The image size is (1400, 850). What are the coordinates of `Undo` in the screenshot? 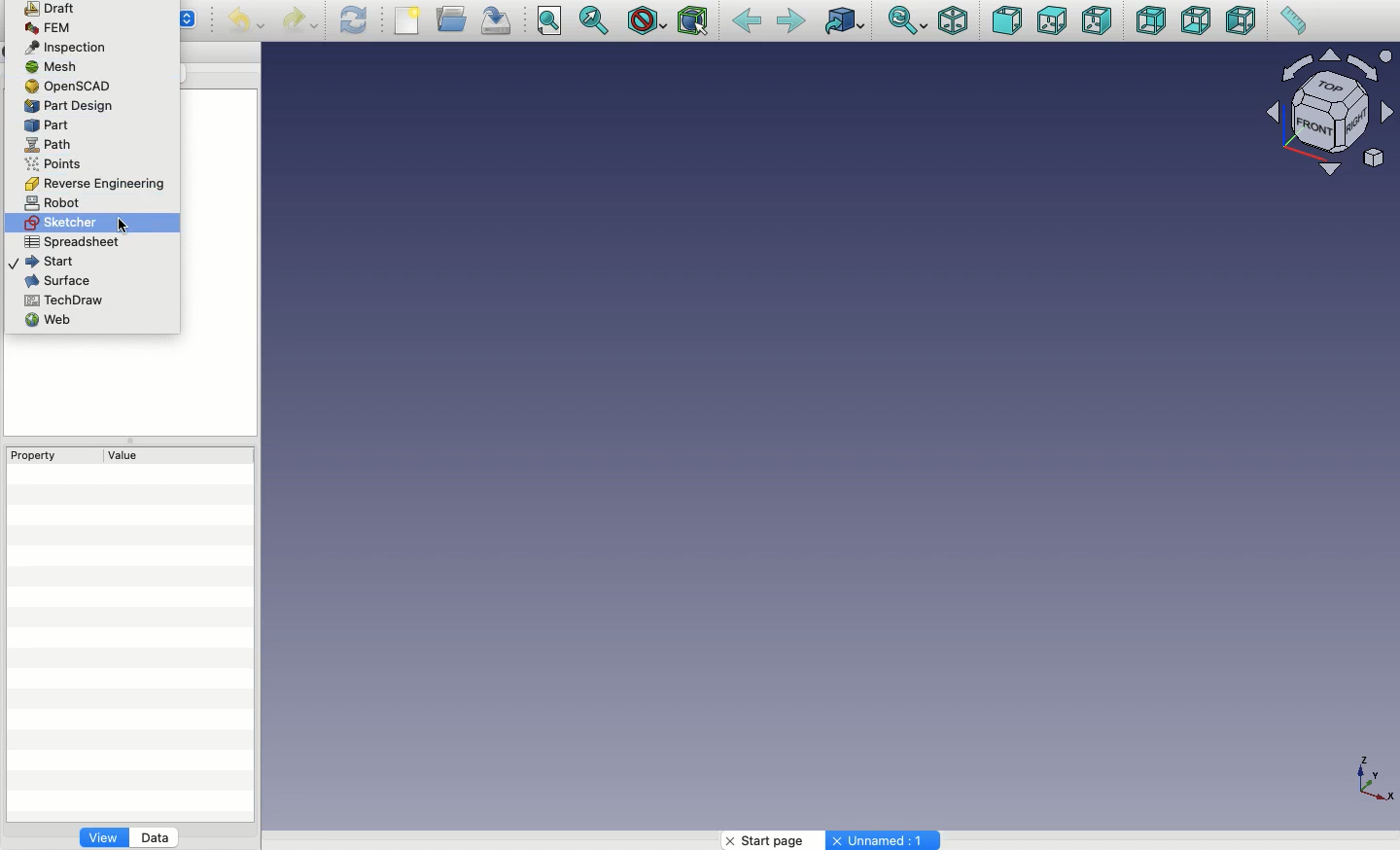 It's located at (244, 21).